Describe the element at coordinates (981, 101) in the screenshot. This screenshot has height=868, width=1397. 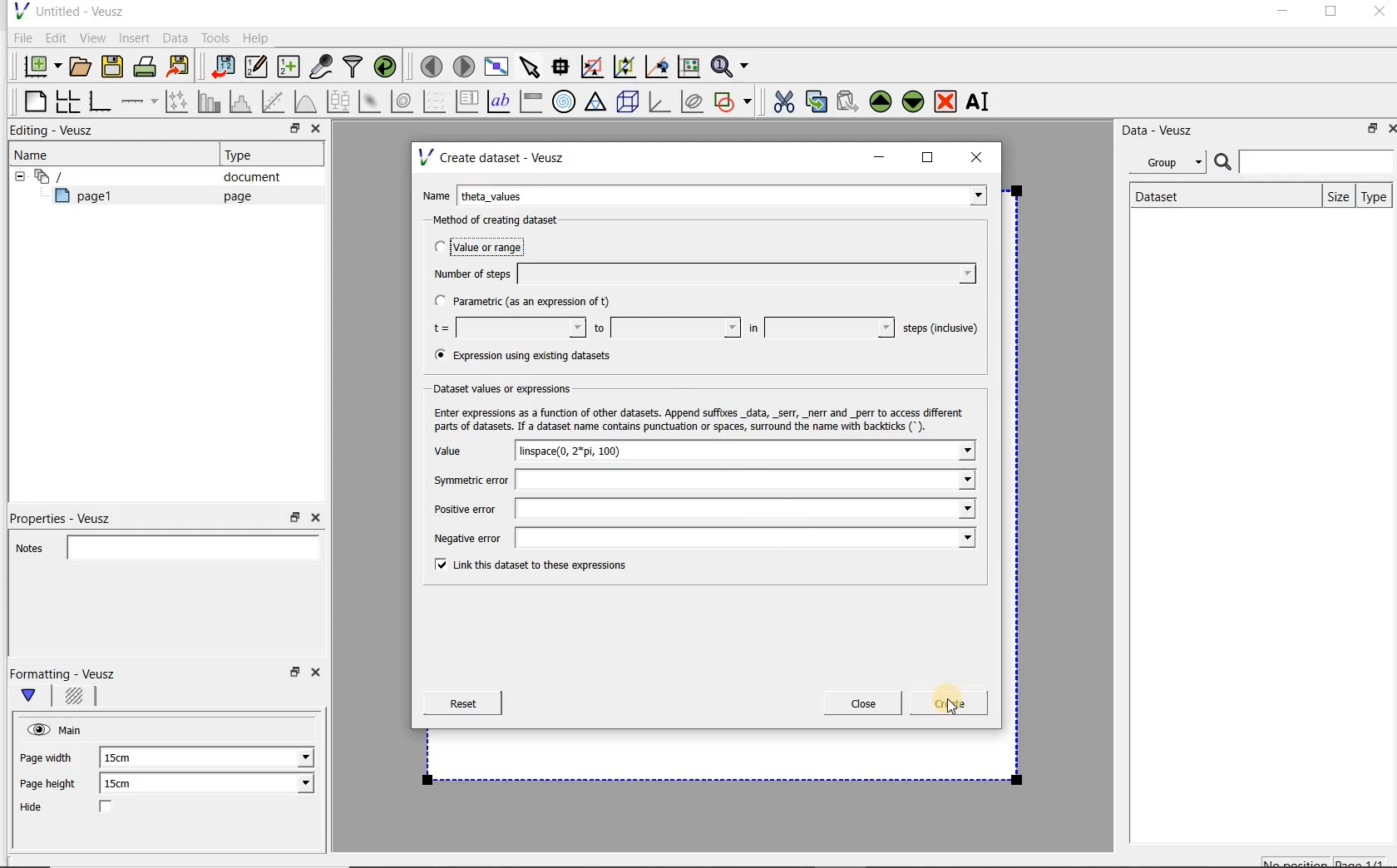
I see `rename the selected widget` at that location.